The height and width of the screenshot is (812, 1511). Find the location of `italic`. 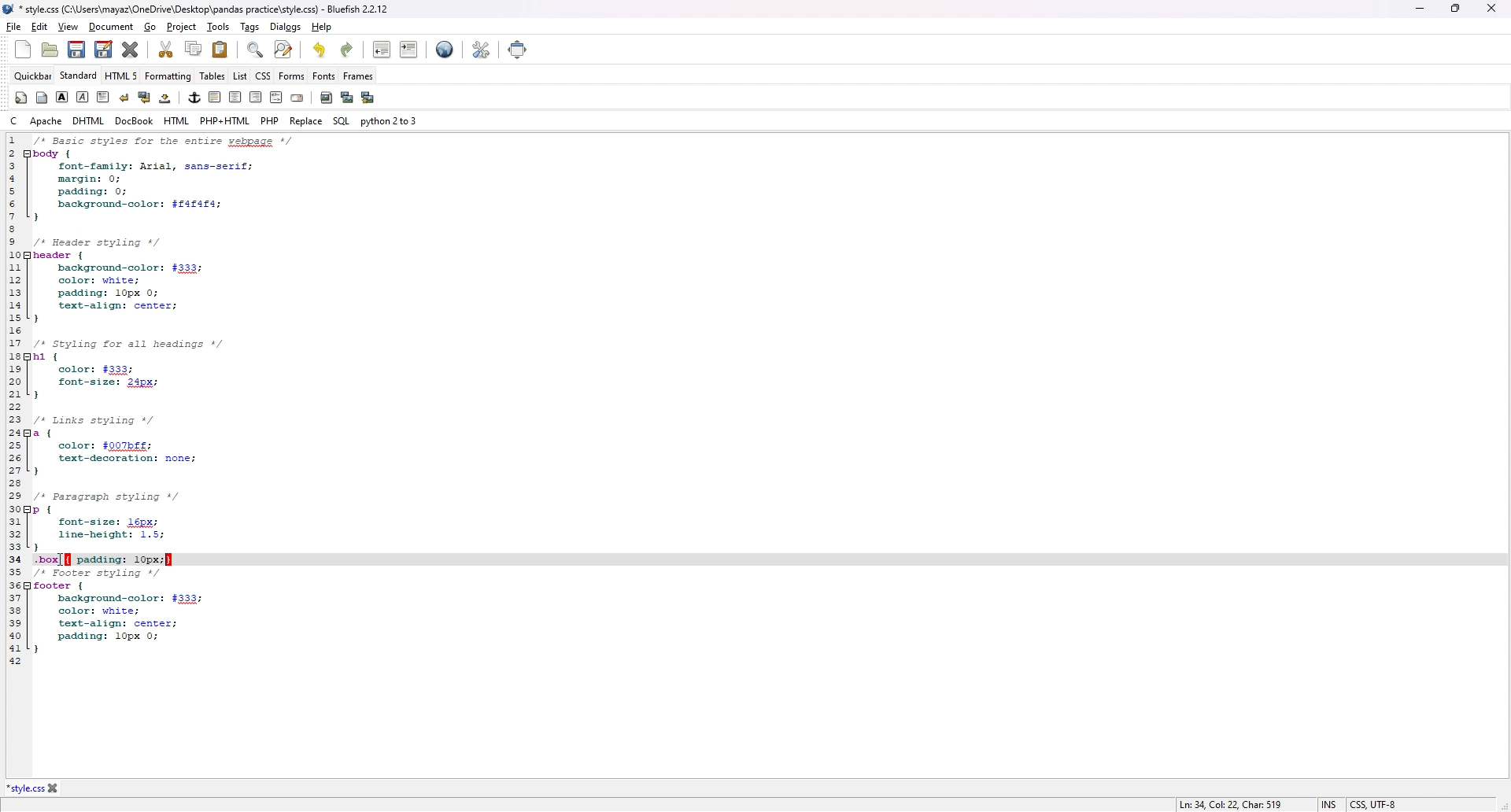

italic is located at coordinates (83, 95).